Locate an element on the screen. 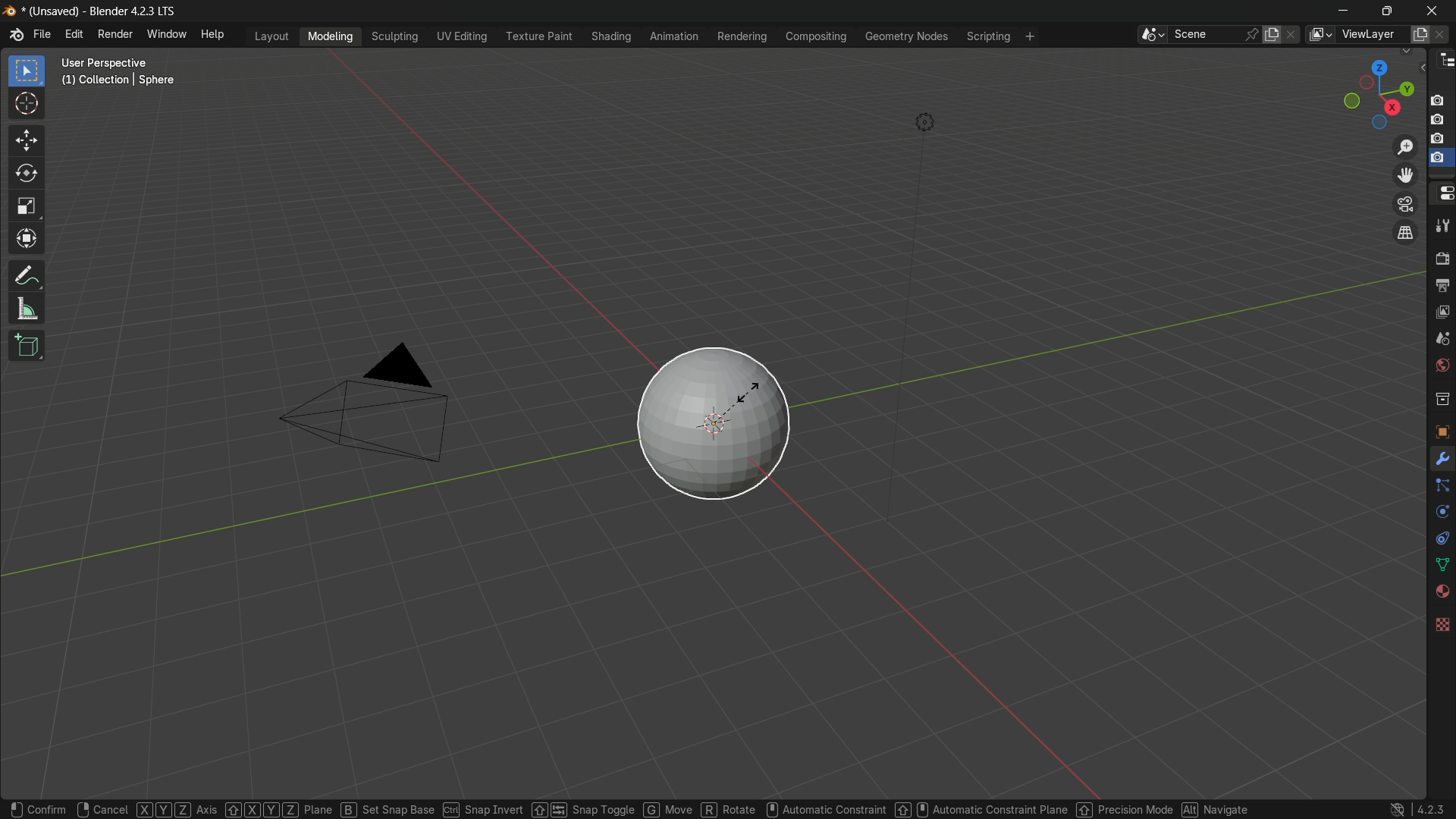  add workplace is located at coordinates (1028, 36).